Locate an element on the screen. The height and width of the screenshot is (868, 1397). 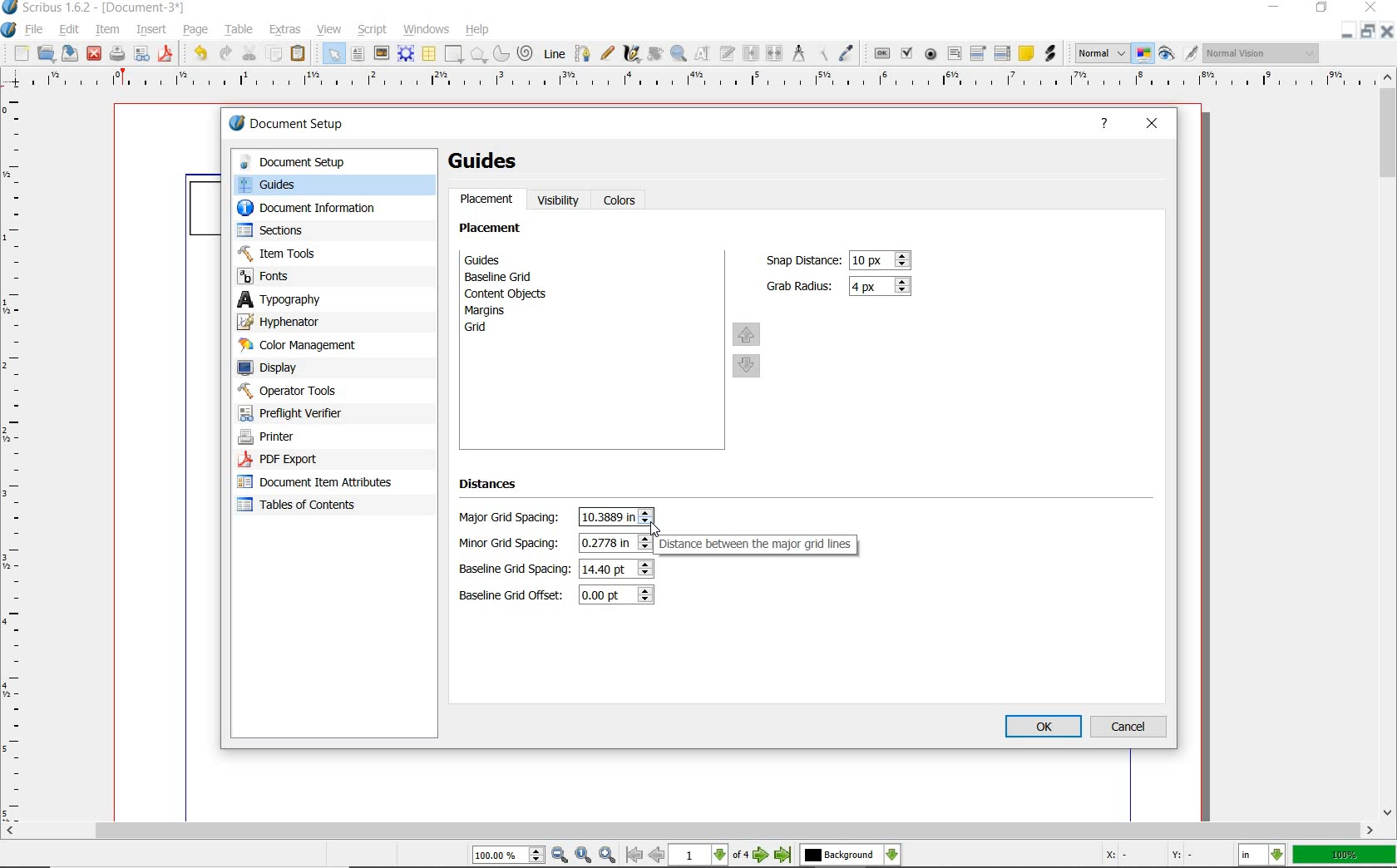
pdf list box is located at coordinates (1003, 52).